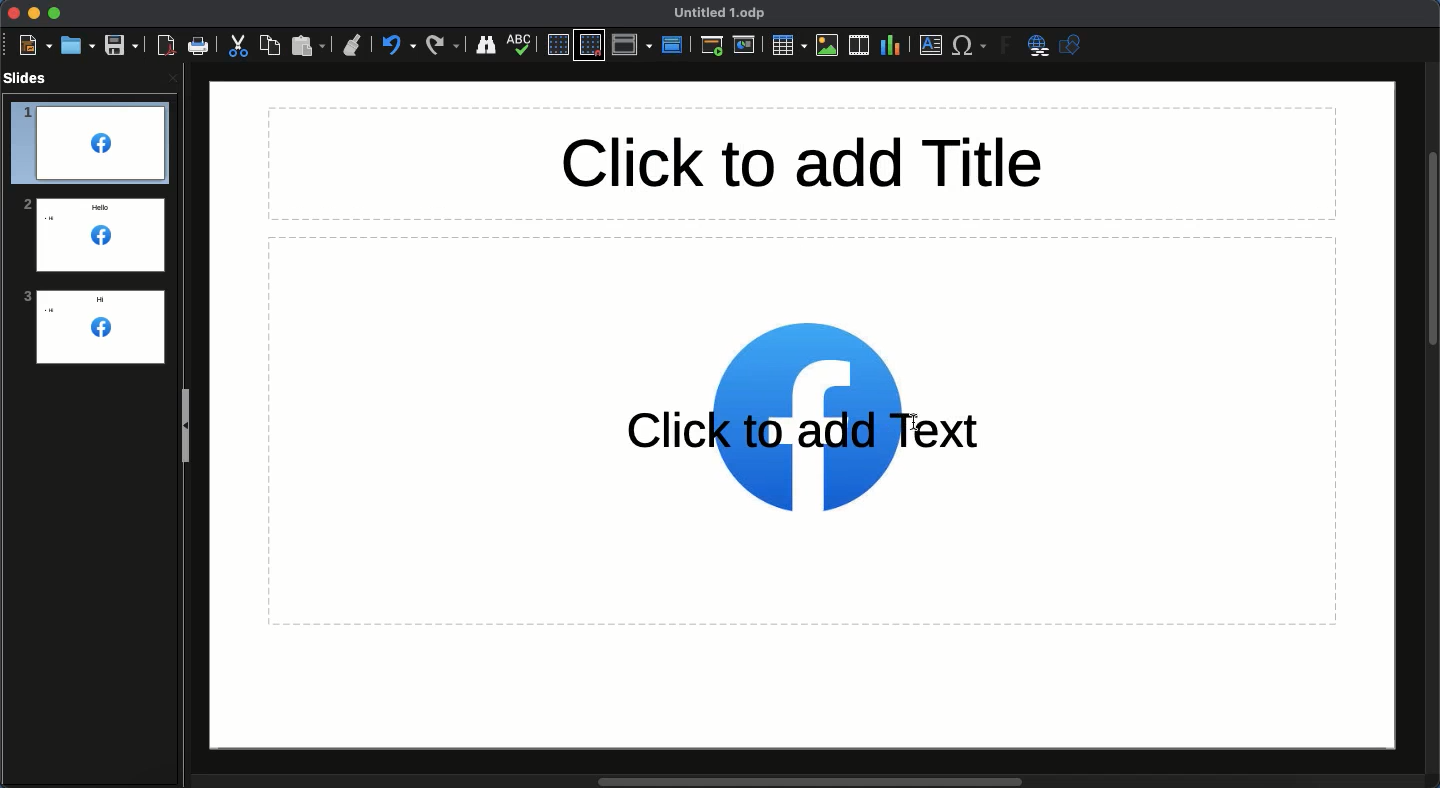 This screenshot has width=1440, height=788. Describe the element at coordinates (789, 46) in the screenshot. I see `Table` at that location.